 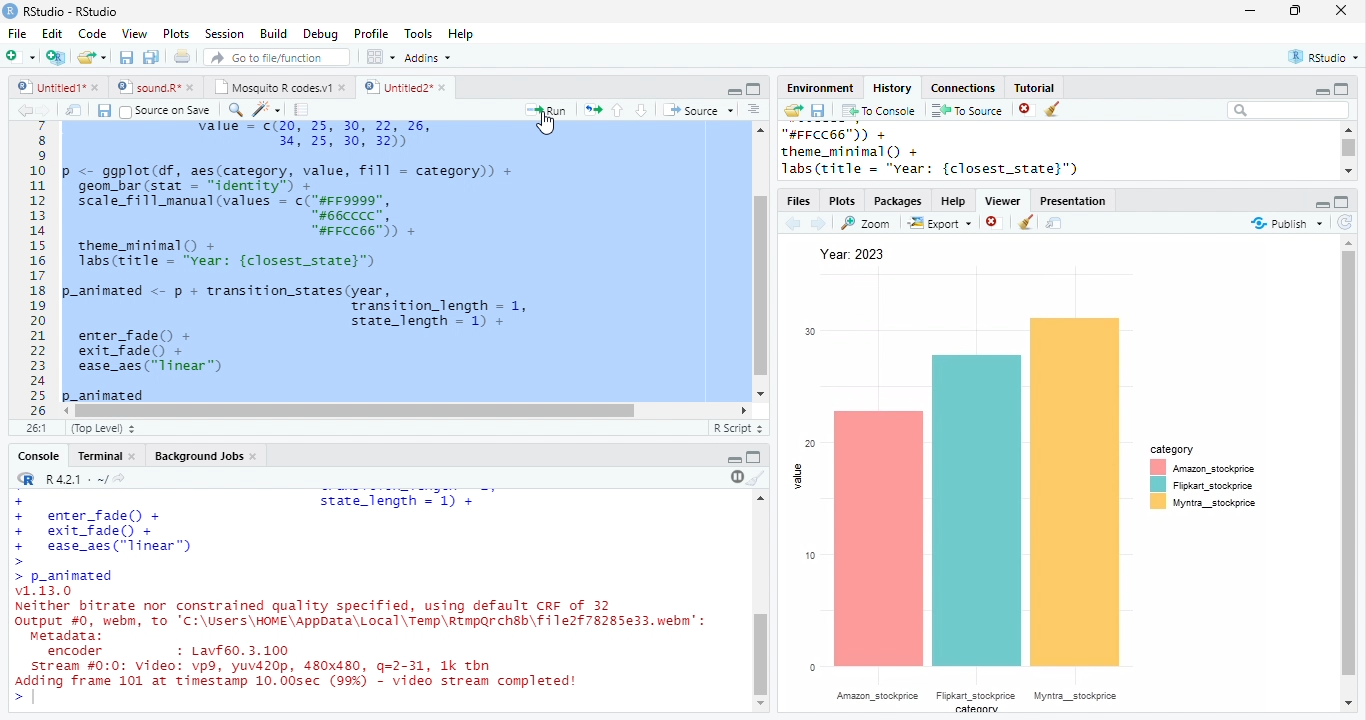 What do you see at coordinates (1003, 201) in the screenshot?
I see `Viewer` at bounding box center [1003, 201].